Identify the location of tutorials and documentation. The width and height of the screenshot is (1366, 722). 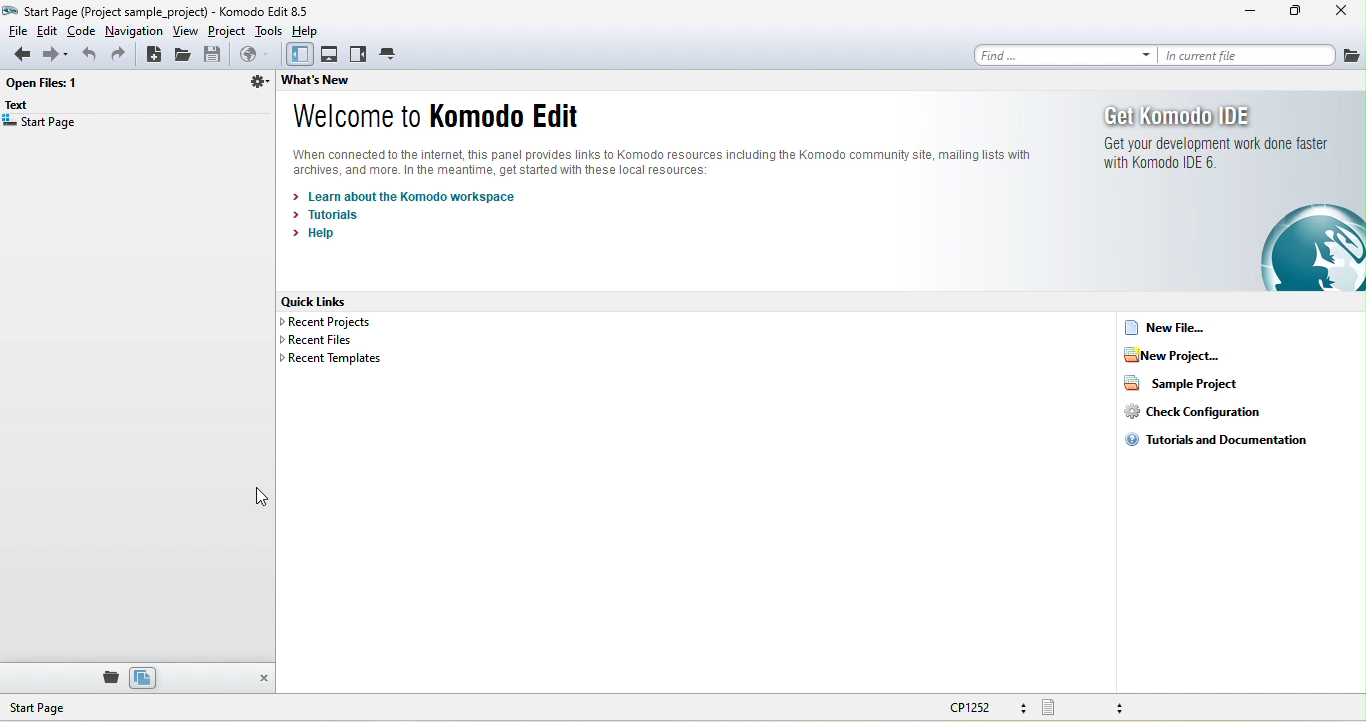
(1218, 441).